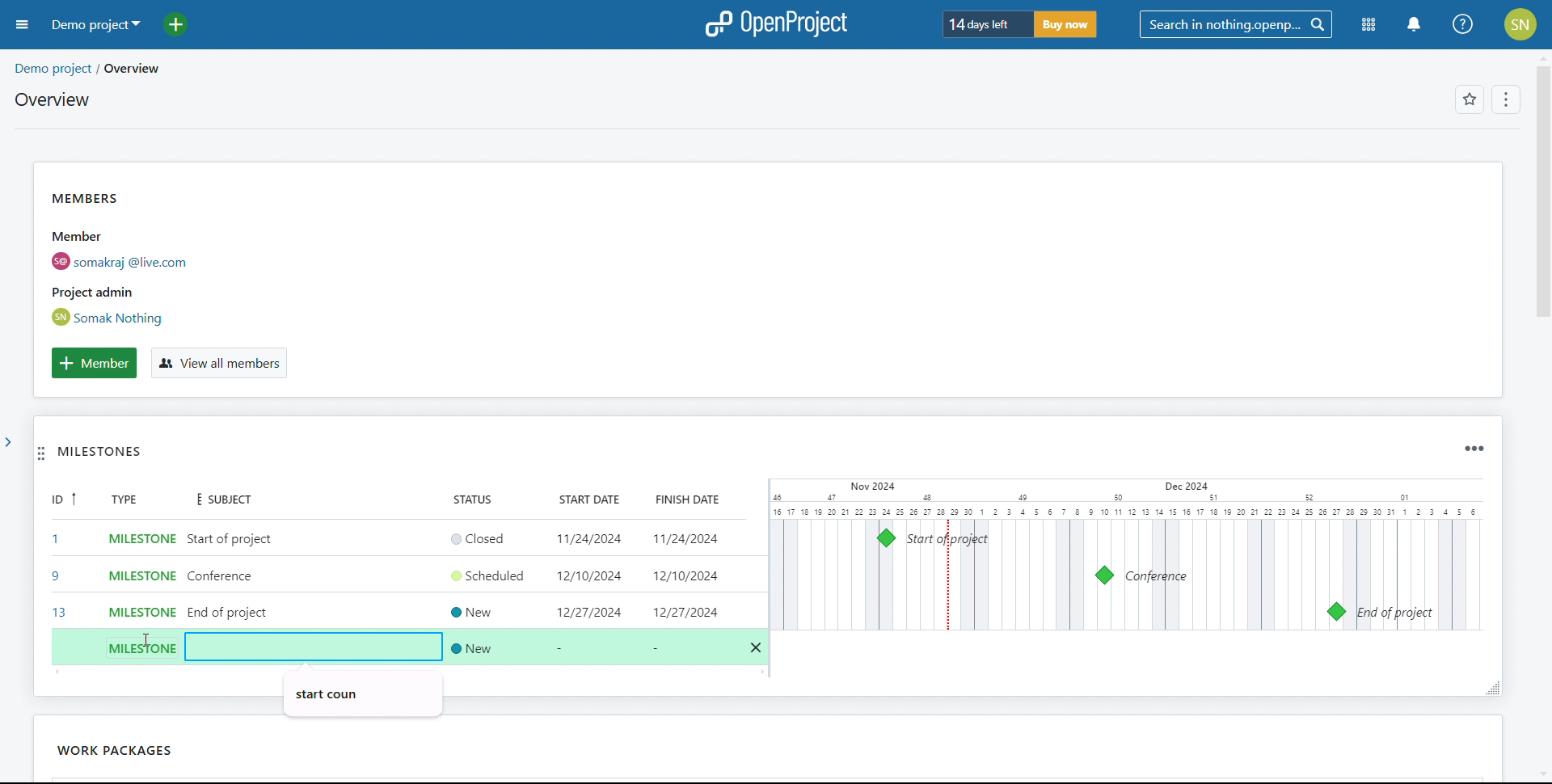 The width and height of the screenshot is (1552, 784). I want to click on overview, so click(51, 99).